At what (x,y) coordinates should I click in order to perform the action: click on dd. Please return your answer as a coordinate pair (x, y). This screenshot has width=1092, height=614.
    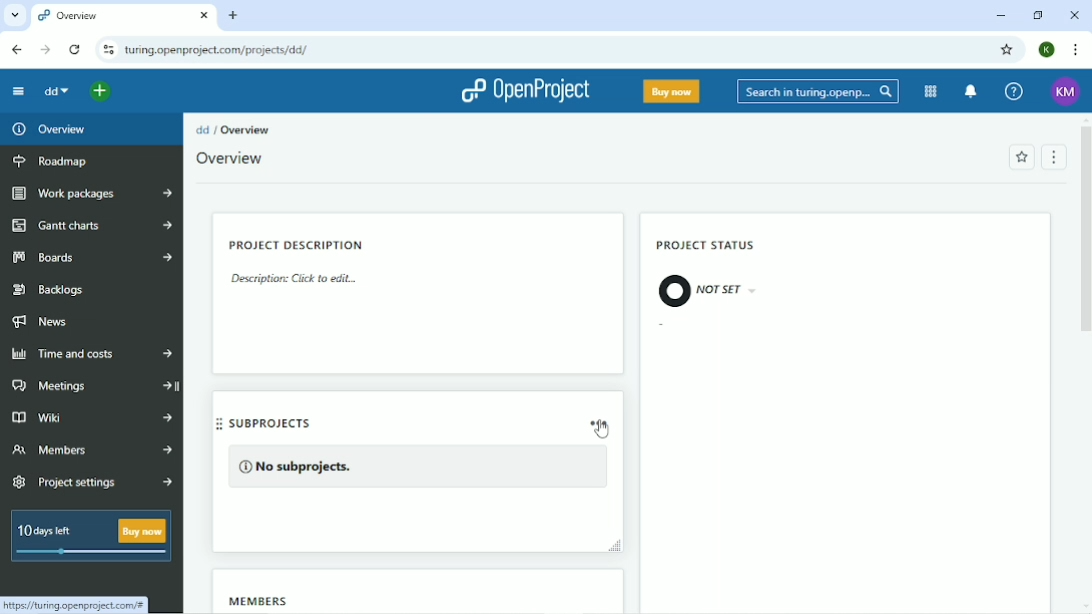
    Looking at the image, I should click on (55, 91).